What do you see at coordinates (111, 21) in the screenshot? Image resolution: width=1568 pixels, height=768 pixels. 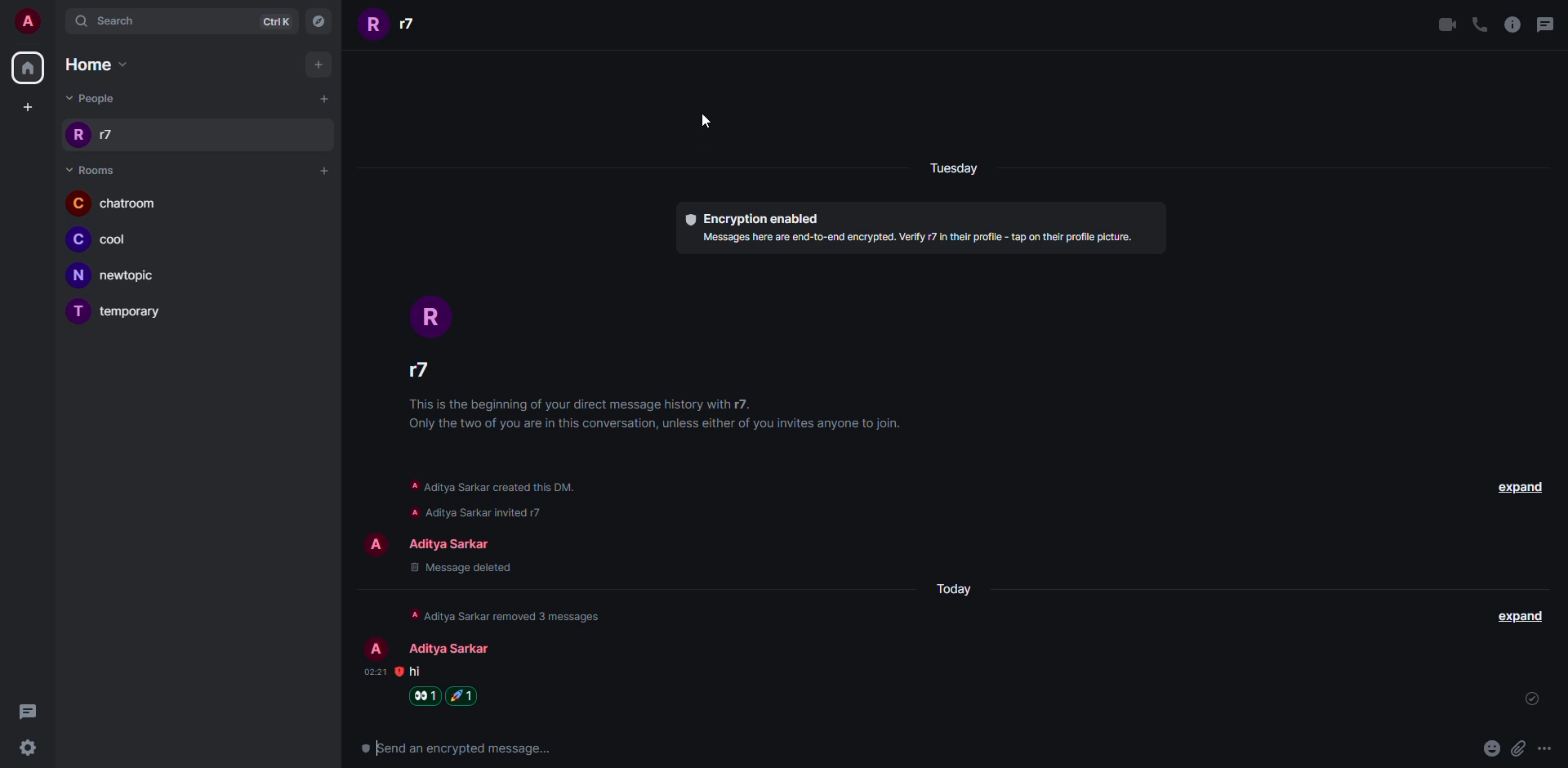 I see `search` at bounding box center [111, 21].